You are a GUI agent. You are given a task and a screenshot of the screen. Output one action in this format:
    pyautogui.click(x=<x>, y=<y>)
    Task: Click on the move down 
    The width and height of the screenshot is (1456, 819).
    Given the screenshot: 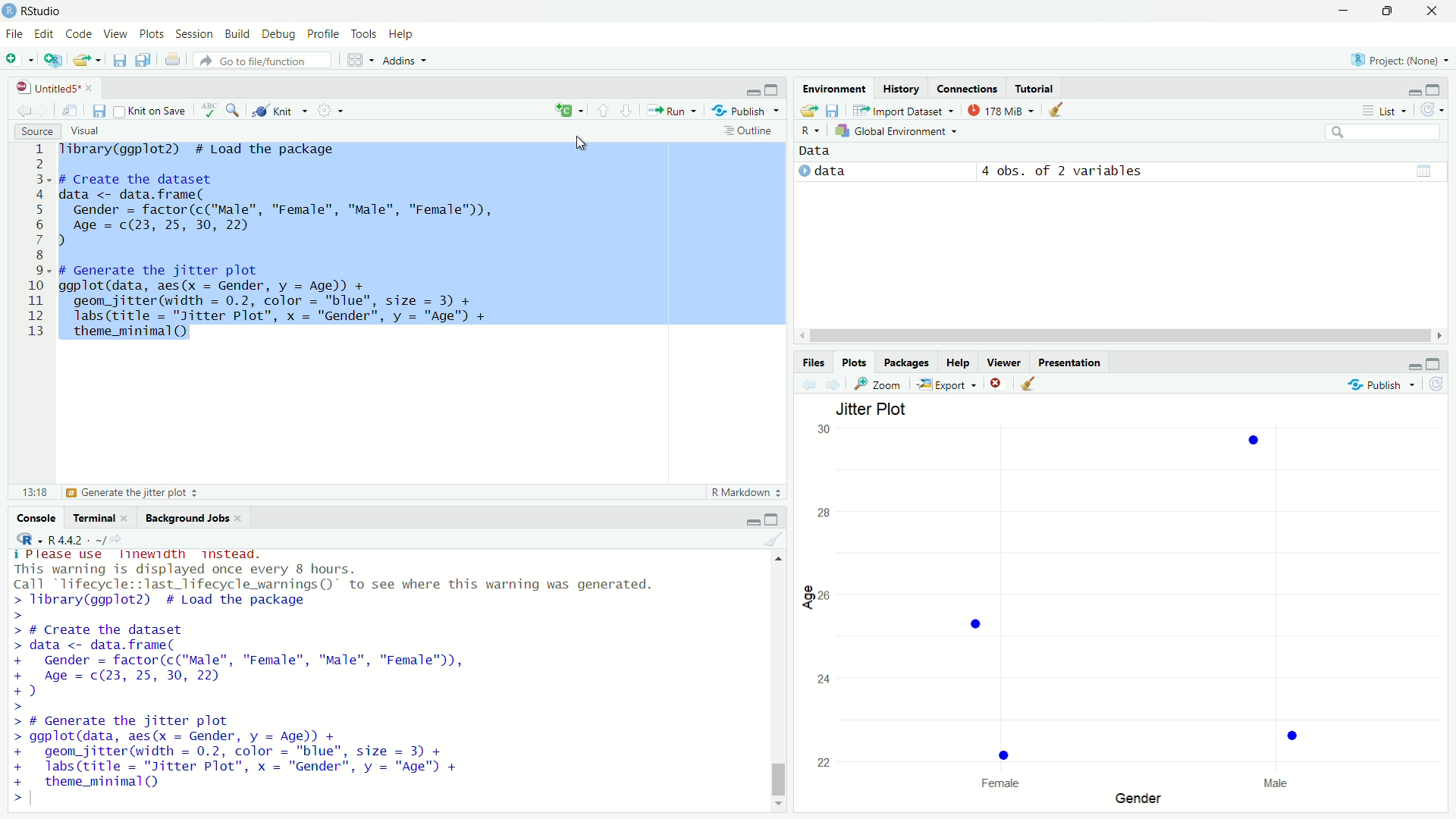 What is the action you would take?
    pyautogui.click(x=780, y=806)
    